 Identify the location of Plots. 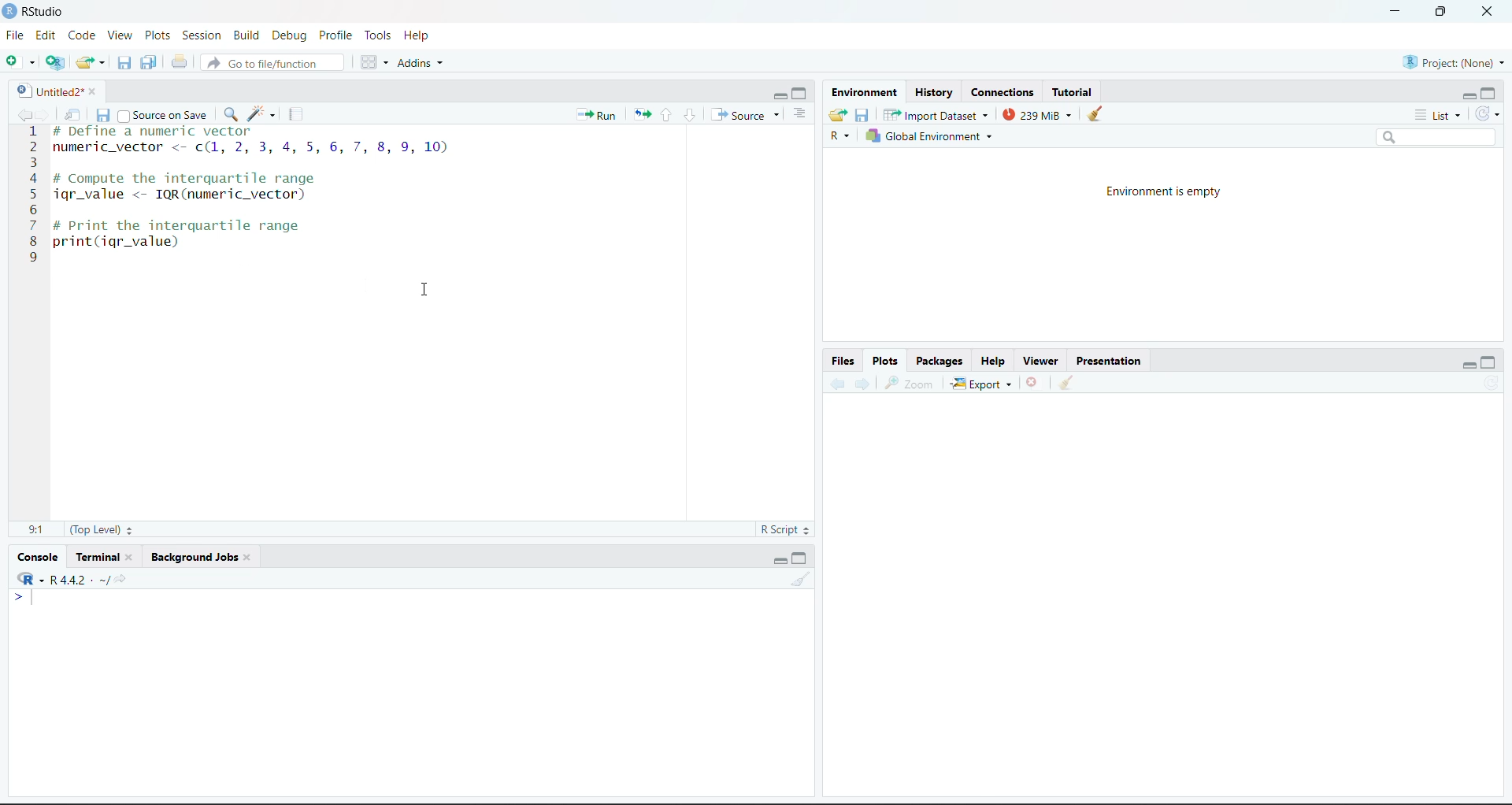
(158, 34).